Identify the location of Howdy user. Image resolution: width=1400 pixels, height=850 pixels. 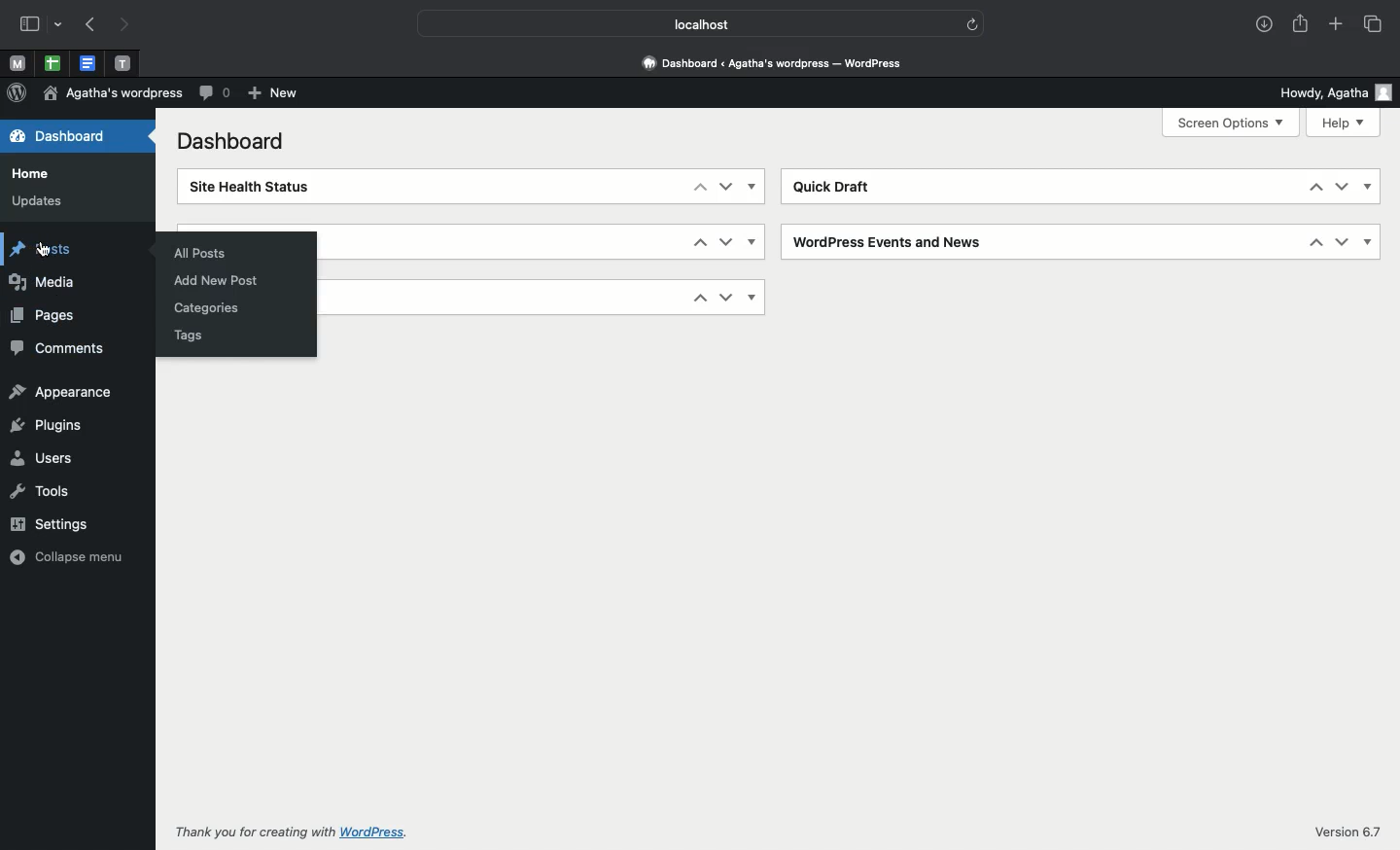
(1333, 92).